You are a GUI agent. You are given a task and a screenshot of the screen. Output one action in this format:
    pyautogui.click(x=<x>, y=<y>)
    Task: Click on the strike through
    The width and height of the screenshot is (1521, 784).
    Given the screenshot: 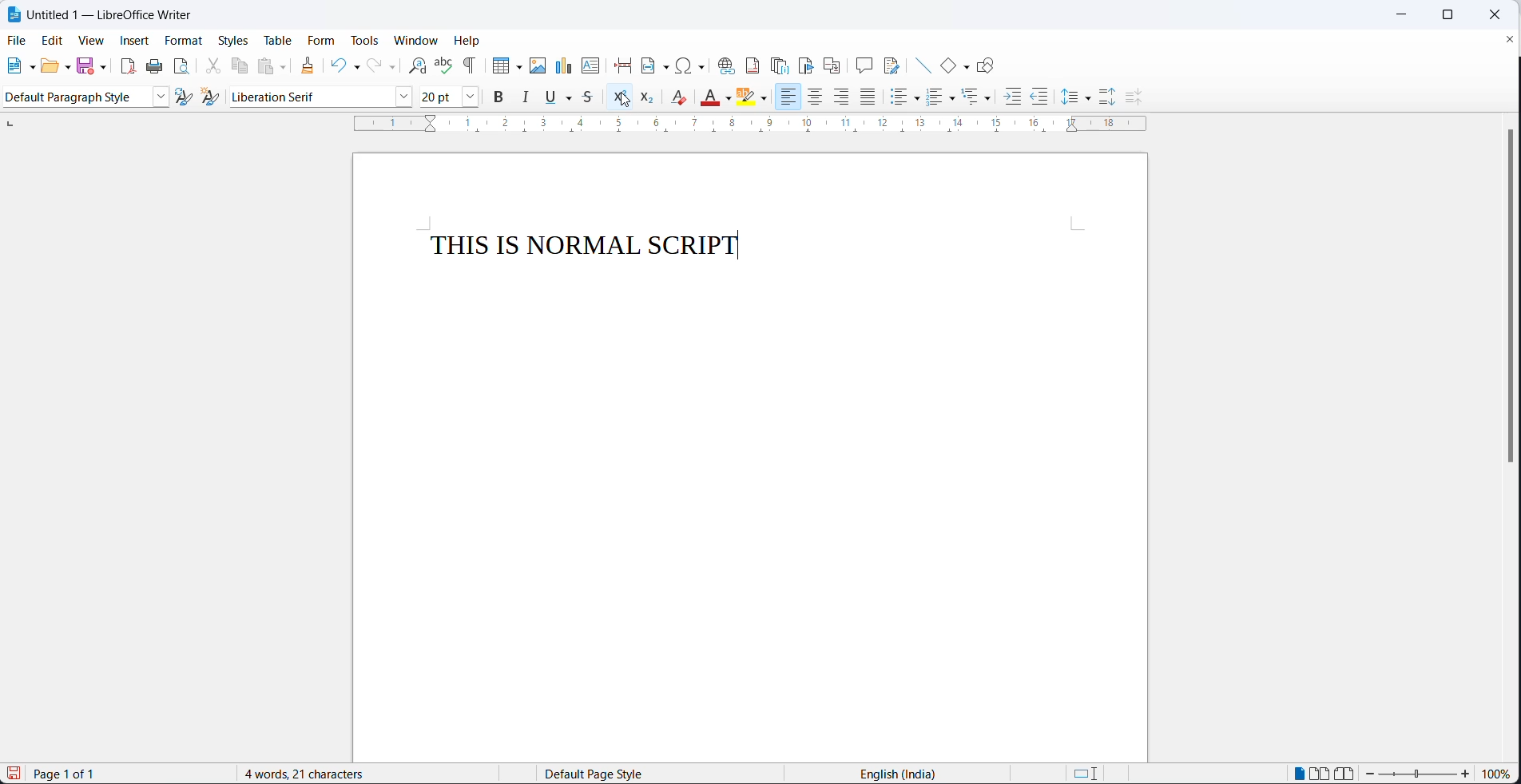 What is the action you would take?
    pyautogui.click(x=594, y=97)
    